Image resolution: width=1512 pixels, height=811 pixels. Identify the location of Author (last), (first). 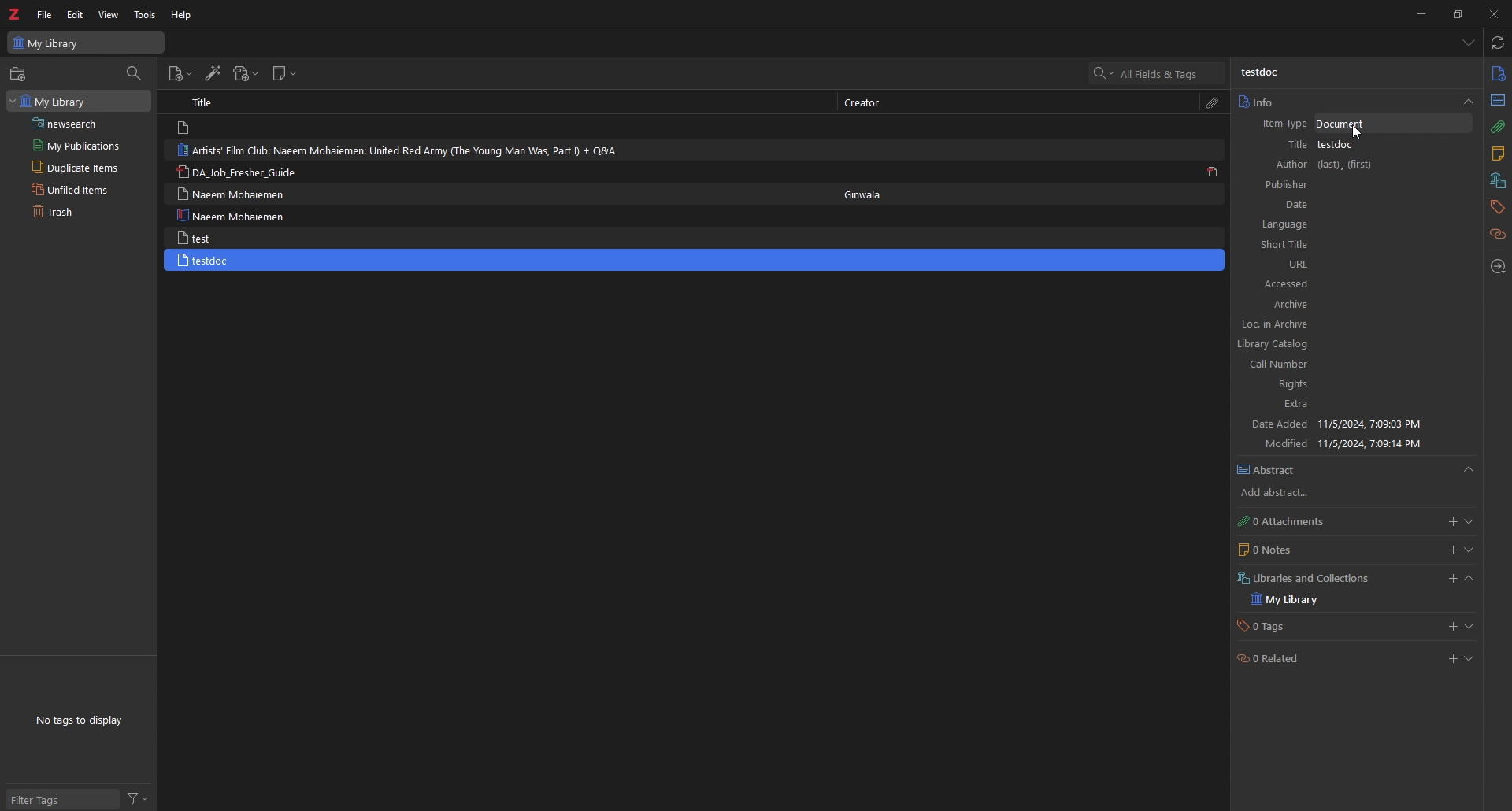
(1359, 165).